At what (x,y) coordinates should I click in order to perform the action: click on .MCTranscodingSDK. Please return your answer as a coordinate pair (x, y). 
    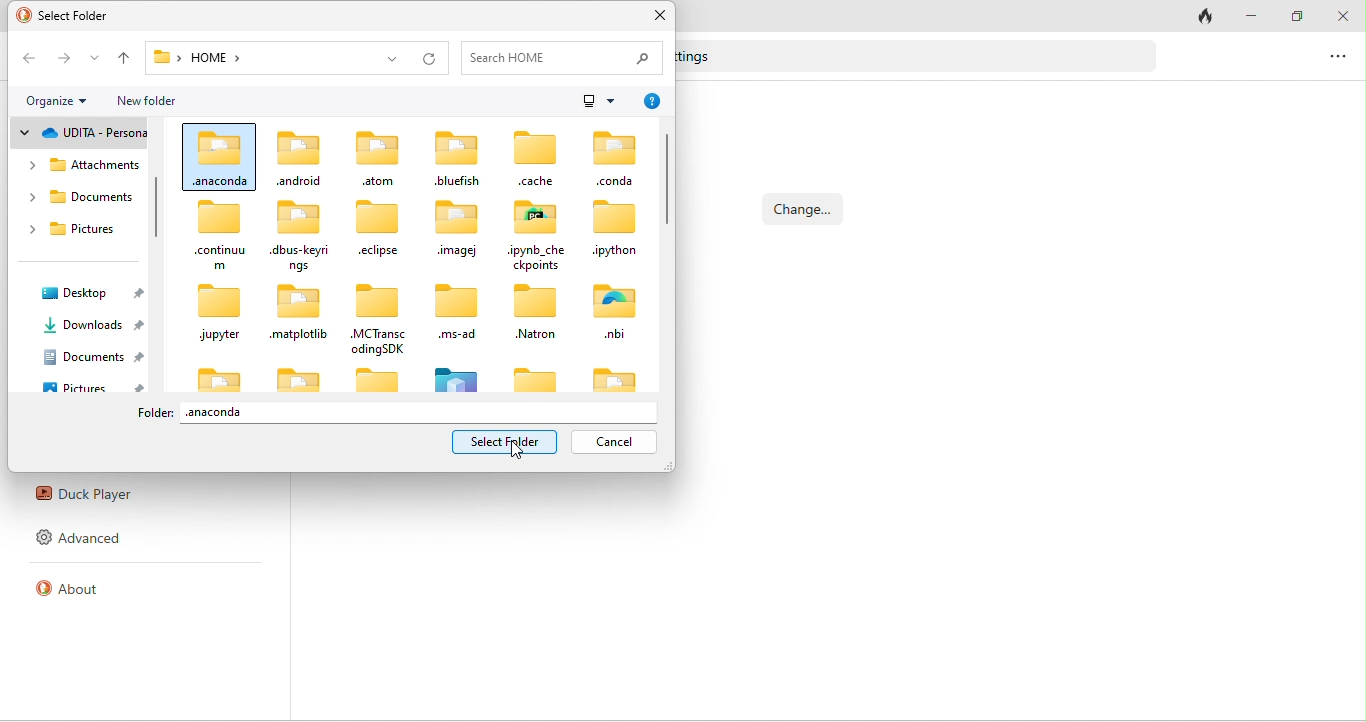
    Looking at the image, I should click on (376, 320).